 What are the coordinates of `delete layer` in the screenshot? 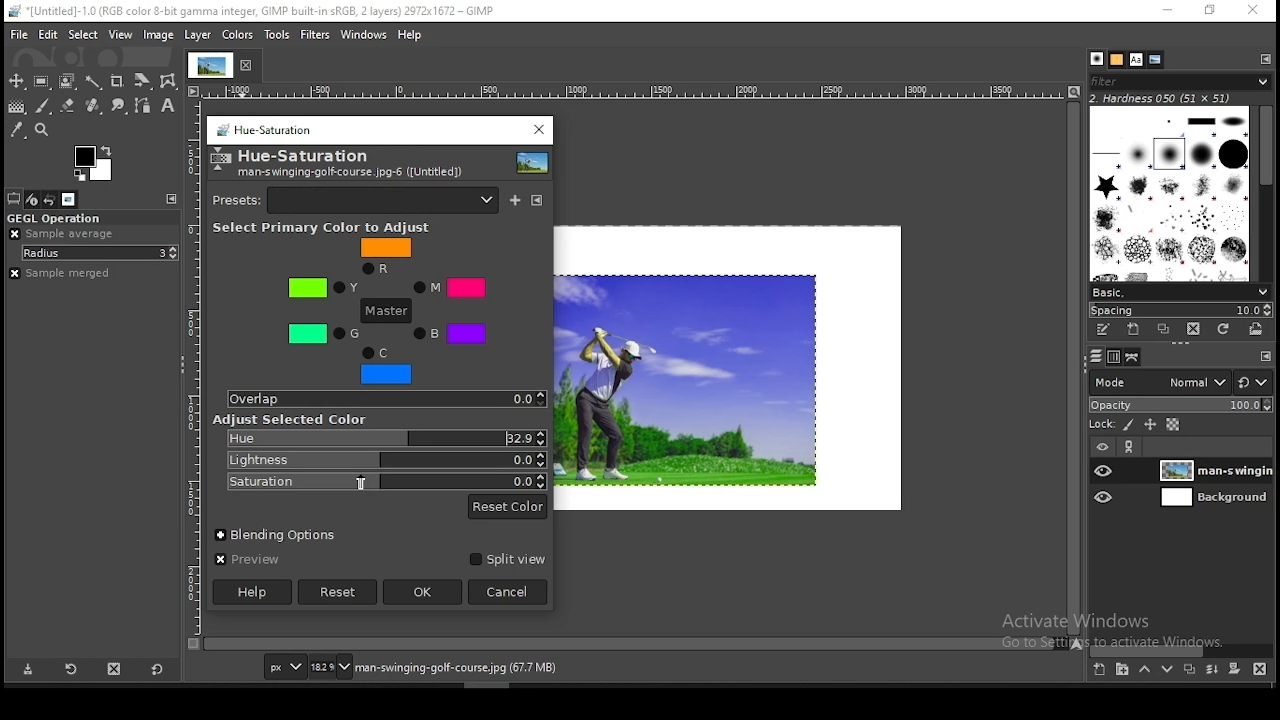 It's located at (1260, 670).